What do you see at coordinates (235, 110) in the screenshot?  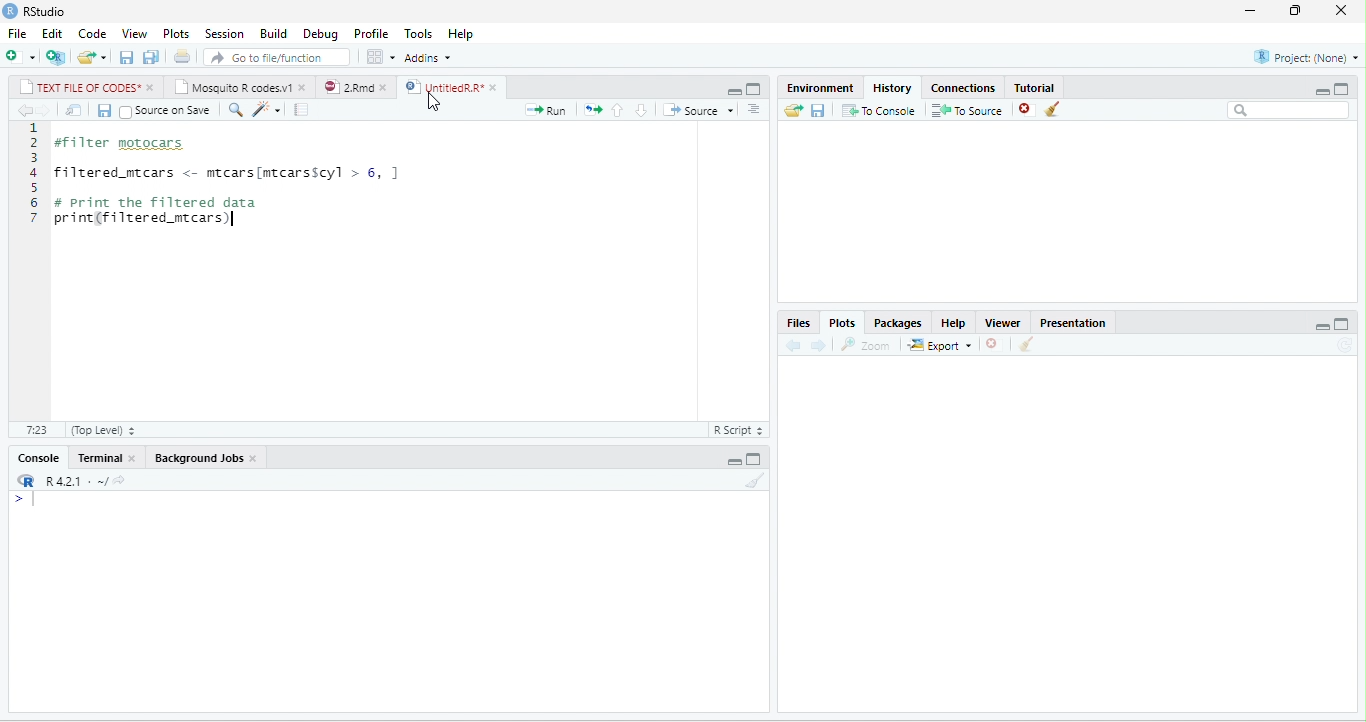 I see `search` at bounding box center [235, 110].